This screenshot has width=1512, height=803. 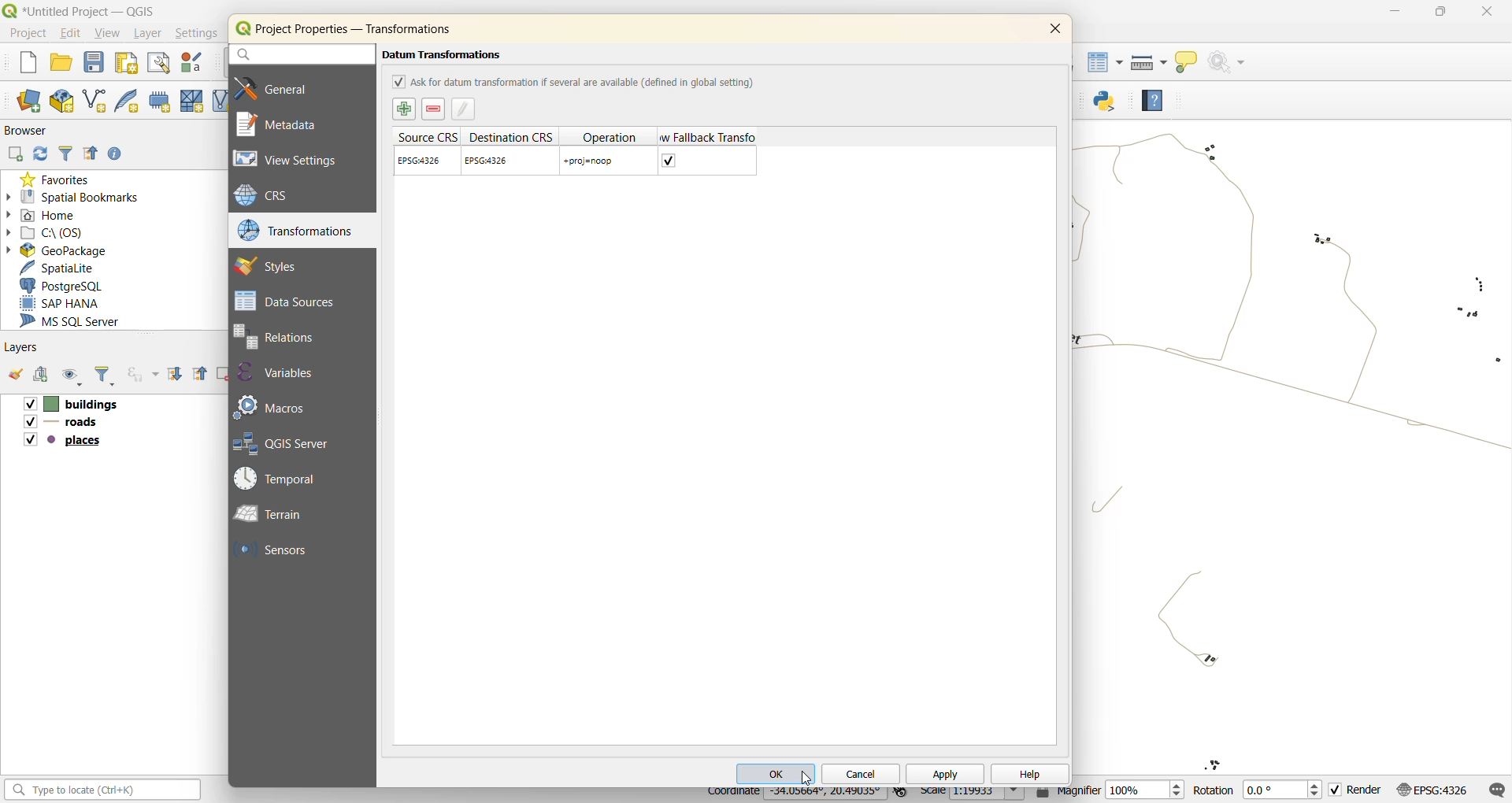 I want to click on cancel, so click(x=860, y=775).